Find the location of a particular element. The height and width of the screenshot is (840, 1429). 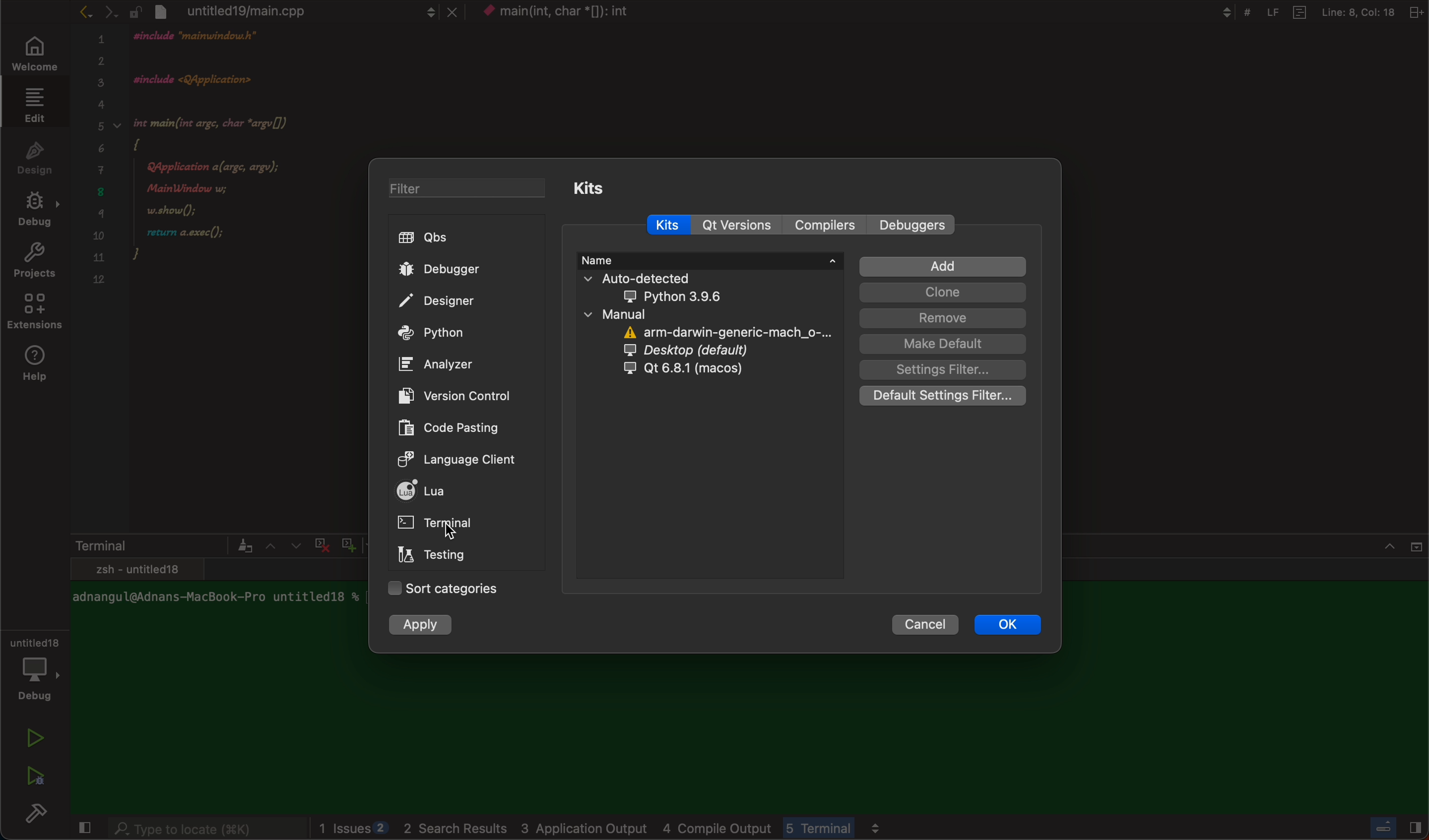

add is located at coordinates (942, 267).